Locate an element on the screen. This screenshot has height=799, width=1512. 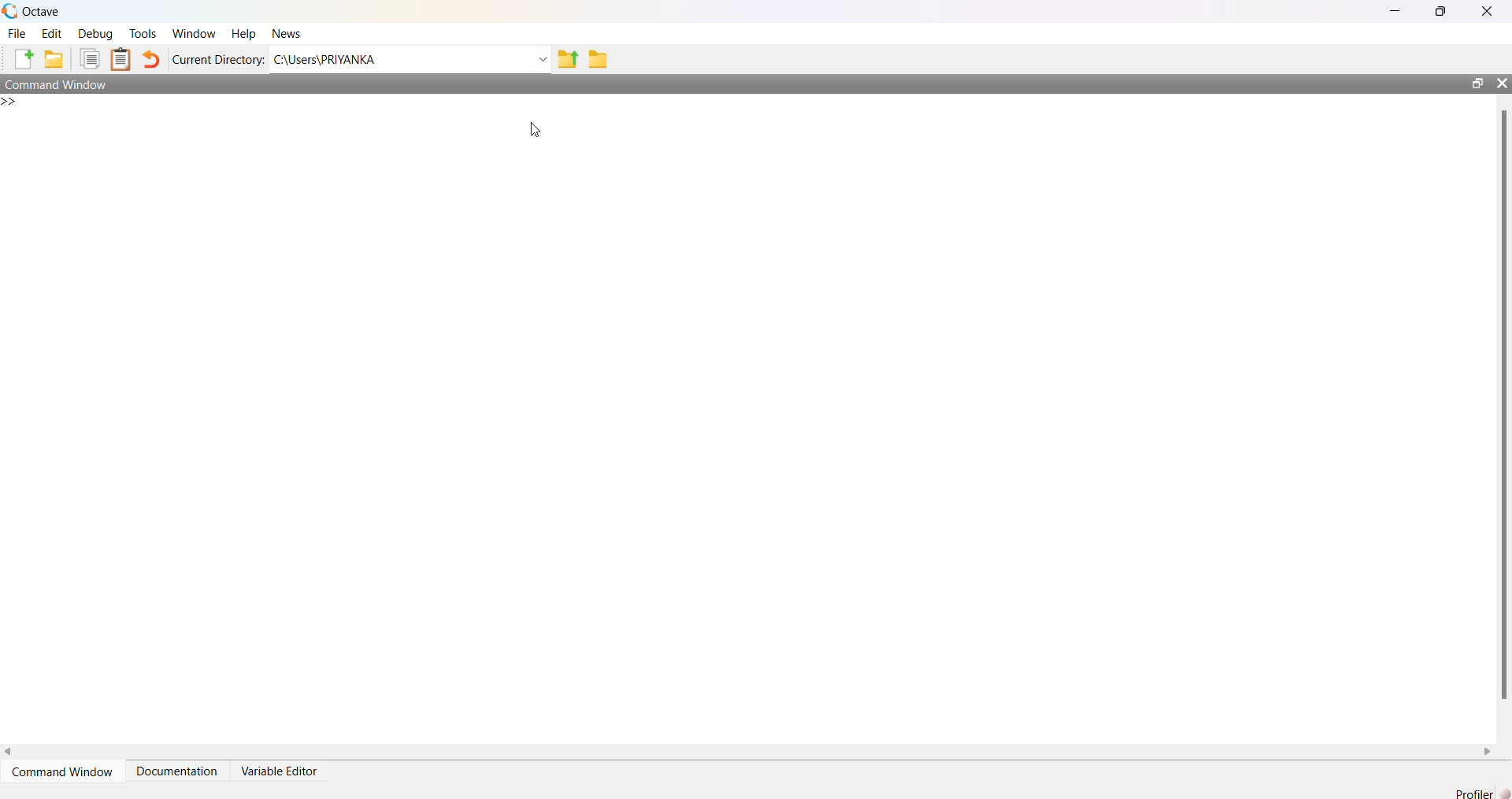
undo is located at coordinates (150, 61).